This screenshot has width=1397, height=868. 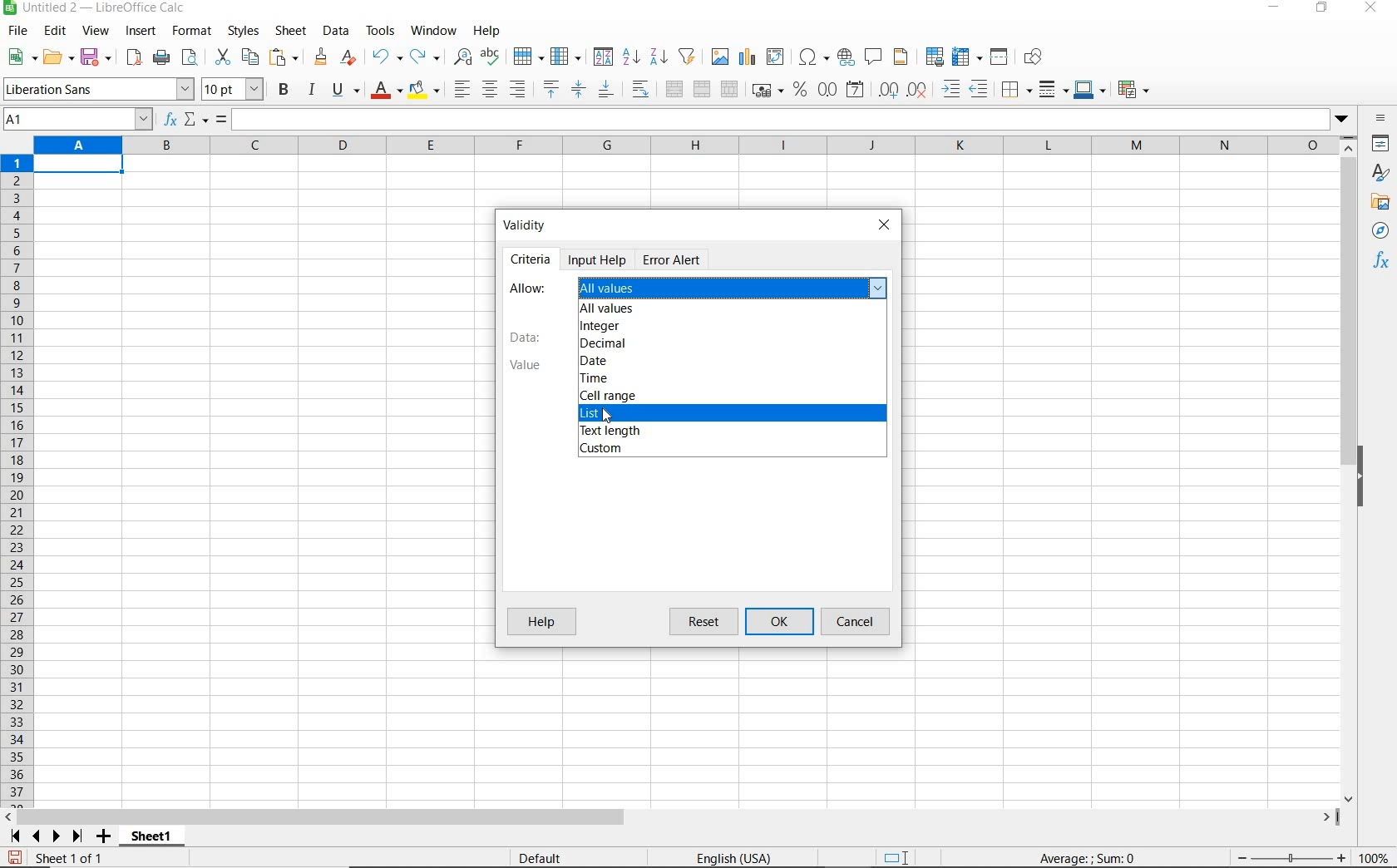 What do you see at coordinates (611, 418) in the screenshot?
I see `Value` at bounding box center [611, 418].